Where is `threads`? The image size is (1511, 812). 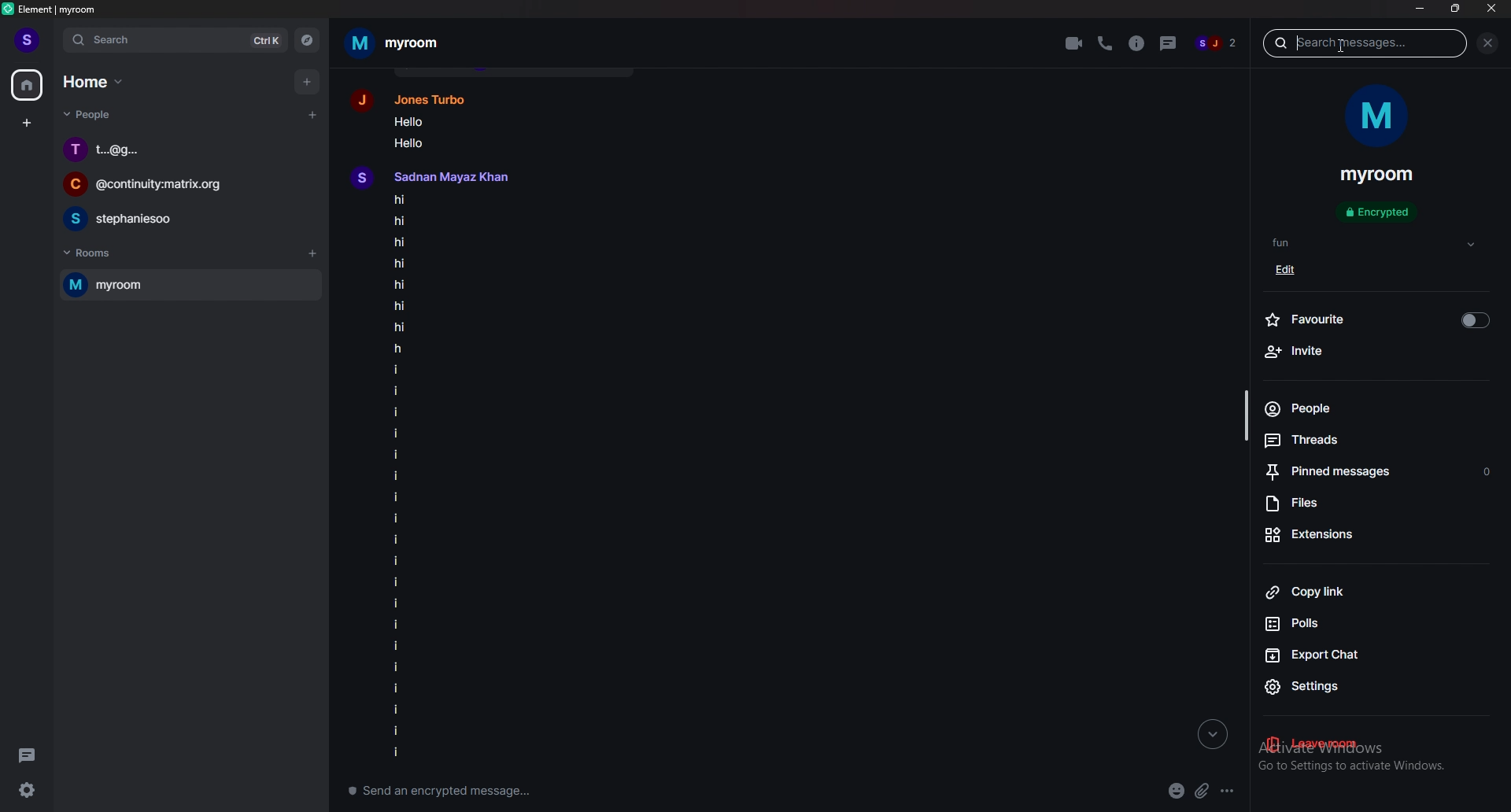 threads is located at coordinates (30, 755).